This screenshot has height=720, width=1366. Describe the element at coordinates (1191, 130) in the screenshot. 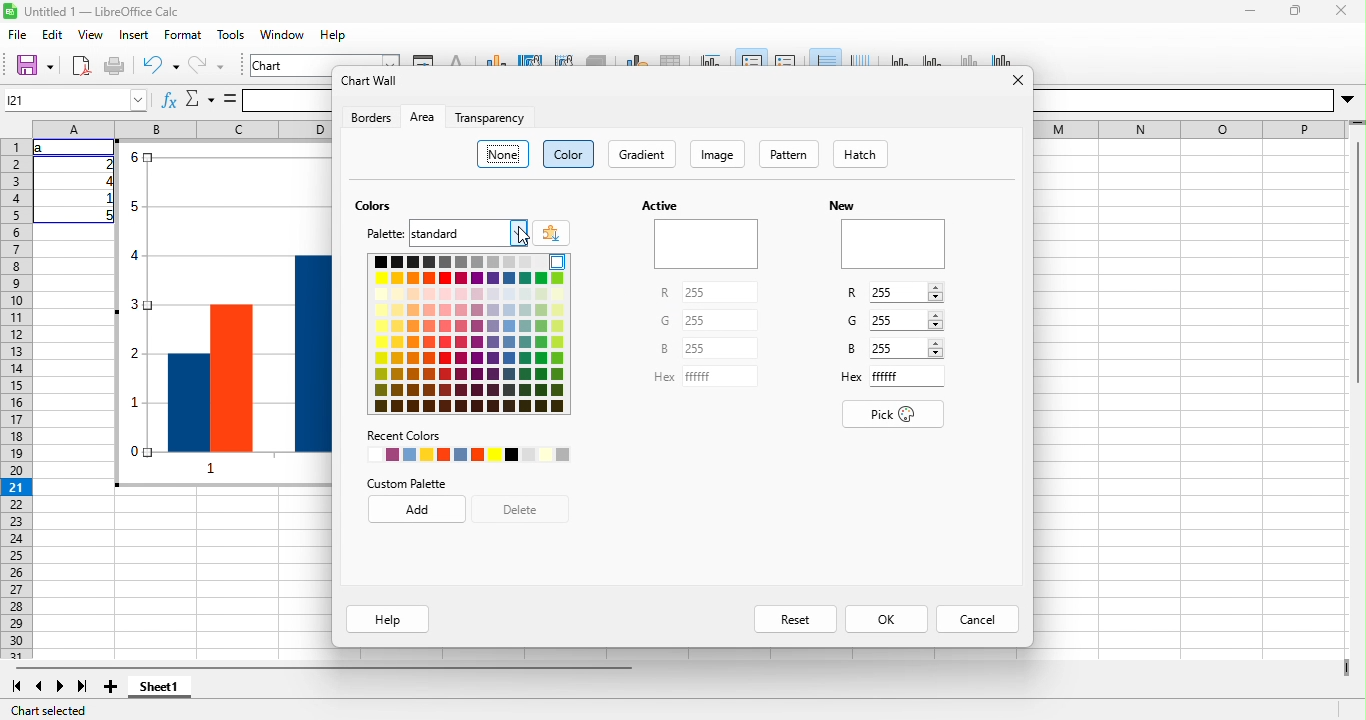

I see `EE EE I E—` at that location.